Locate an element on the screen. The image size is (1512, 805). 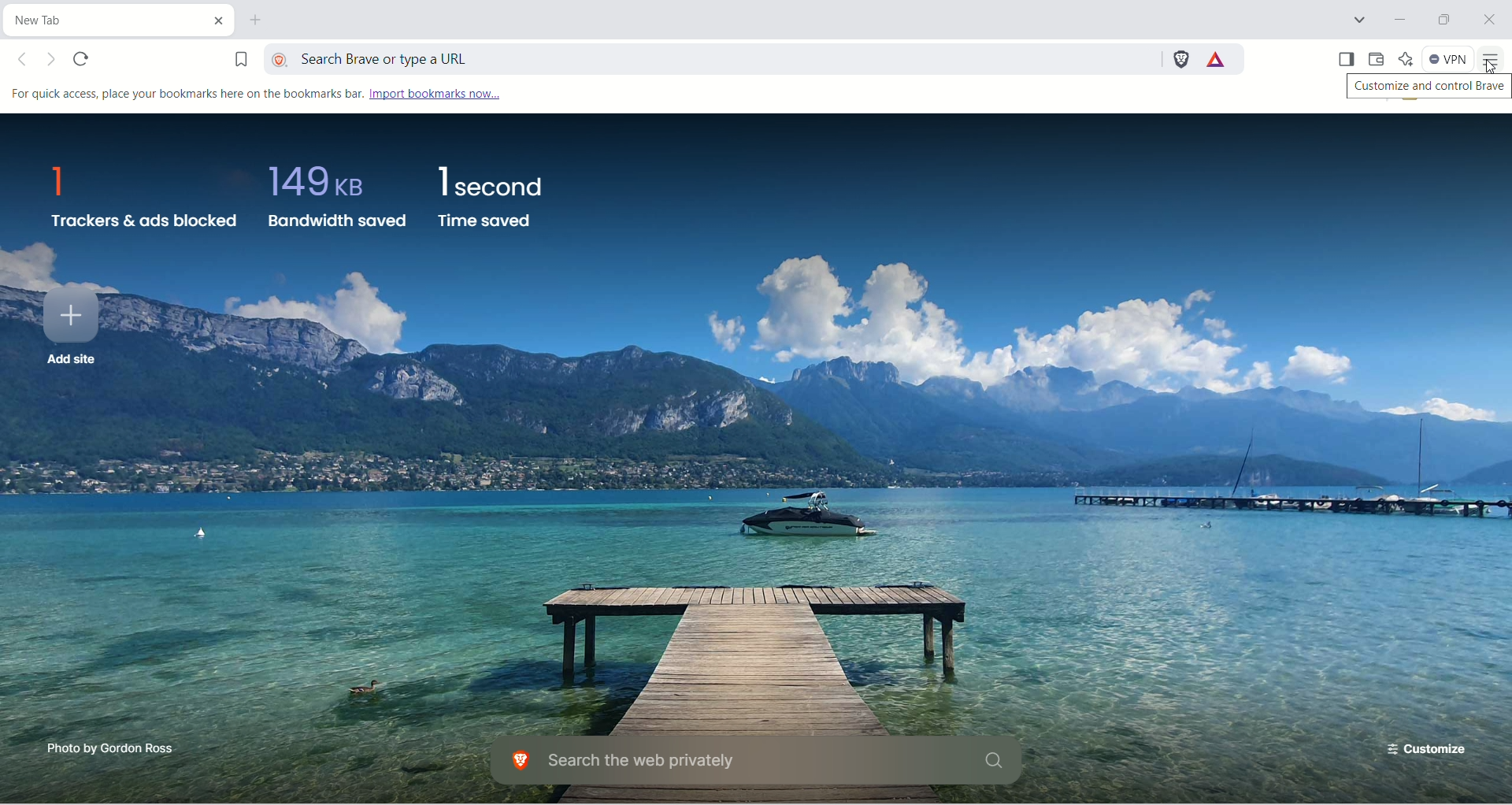
import bookmarks now is located at coordinates (434, 95).